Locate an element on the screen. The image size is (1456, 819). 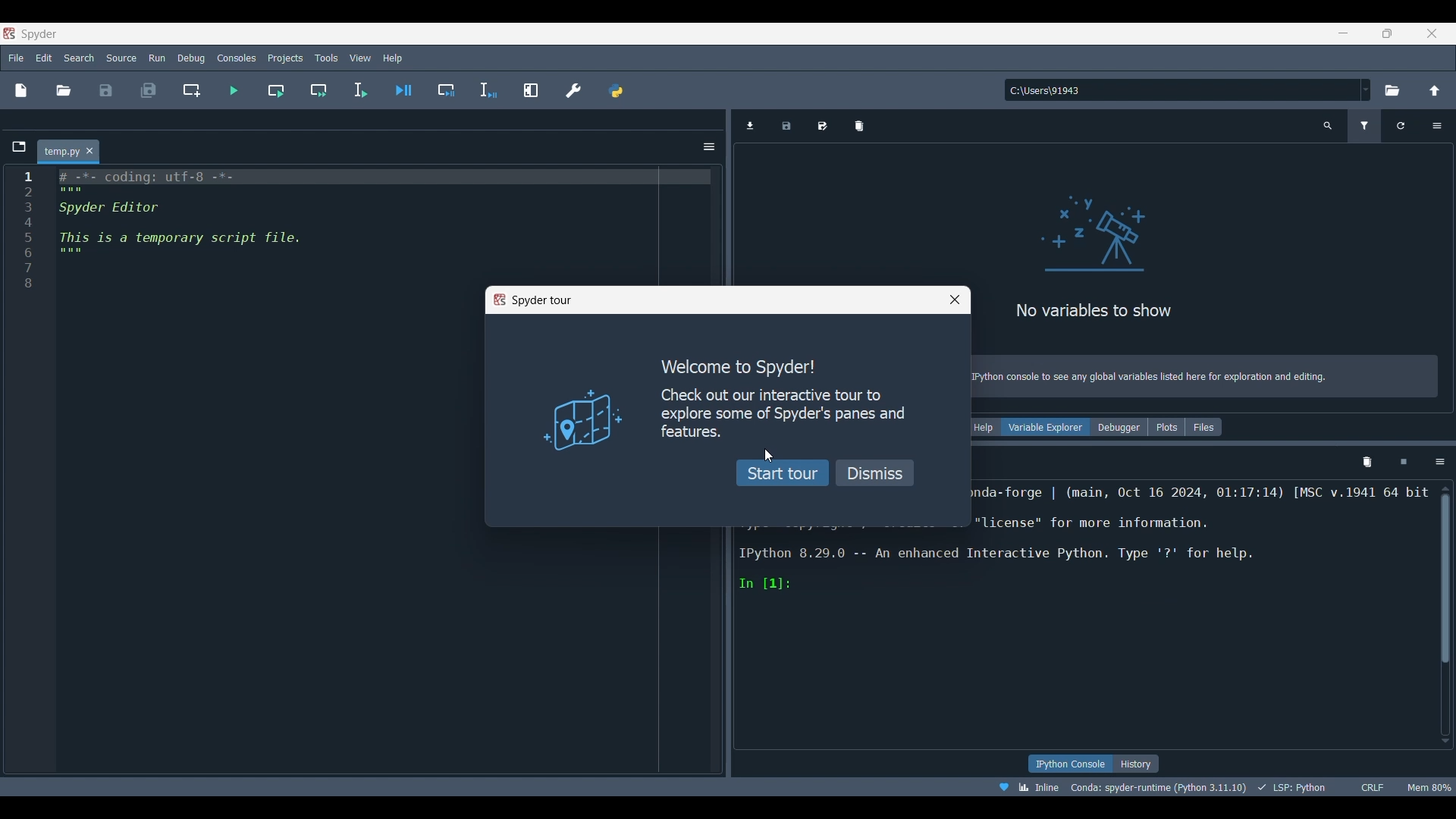
Panel and description is located at coordinates (1087, 620).